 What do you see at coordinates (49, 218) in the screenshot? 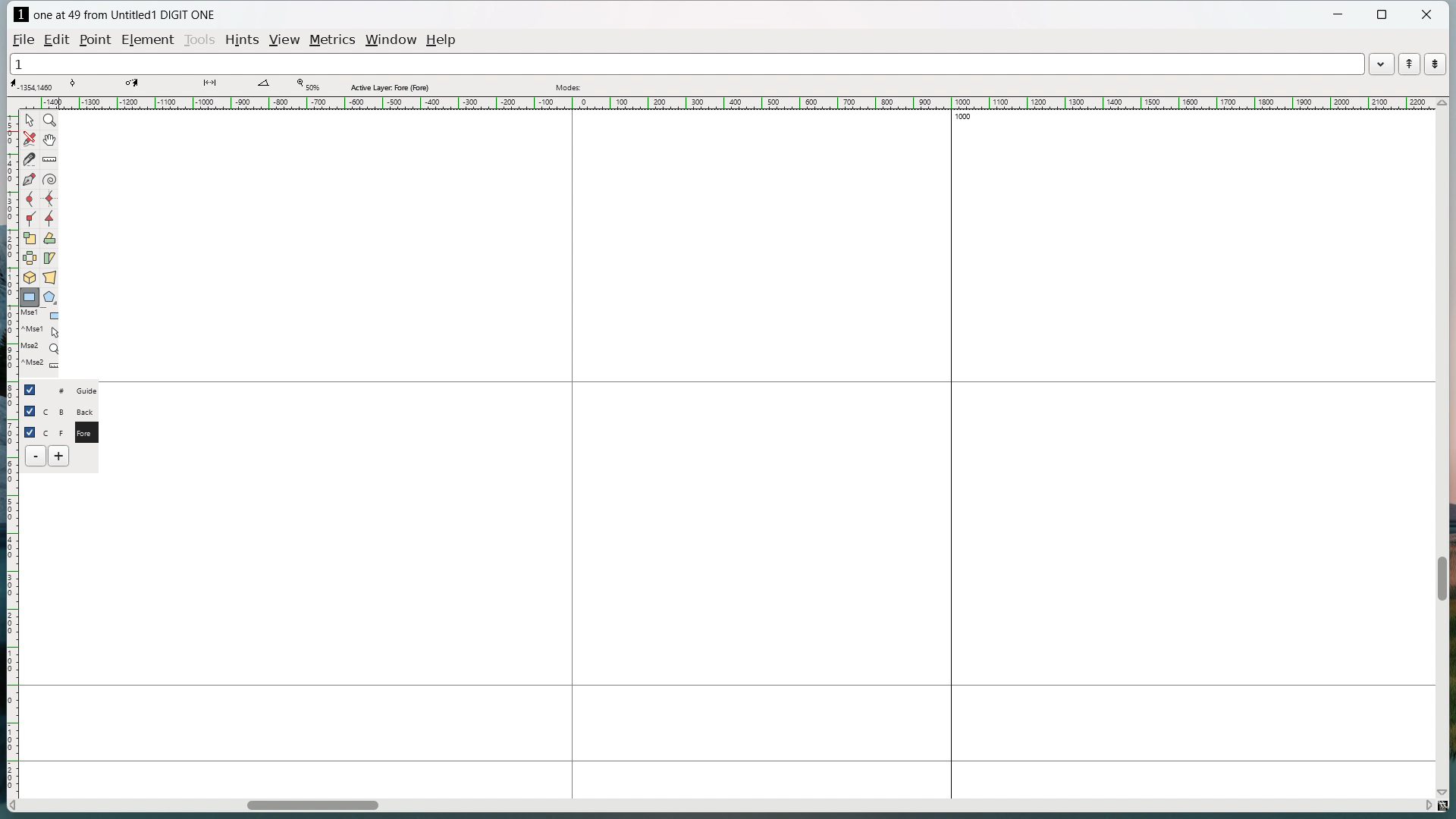
I see `add a tangent point` at bounding box center [49, 218].